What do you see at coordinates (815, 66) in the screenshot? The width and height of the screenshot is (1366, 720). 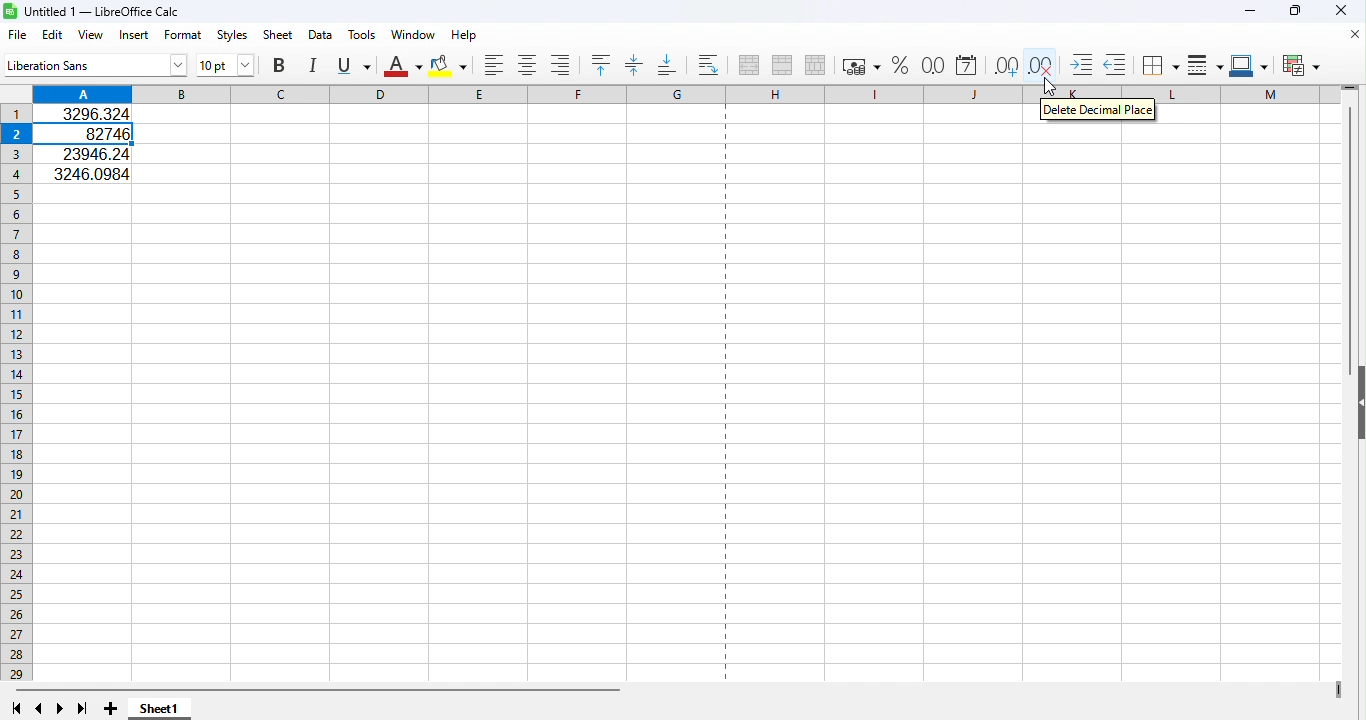 I see `Unmerge cells` at bounding box center [815, 66].